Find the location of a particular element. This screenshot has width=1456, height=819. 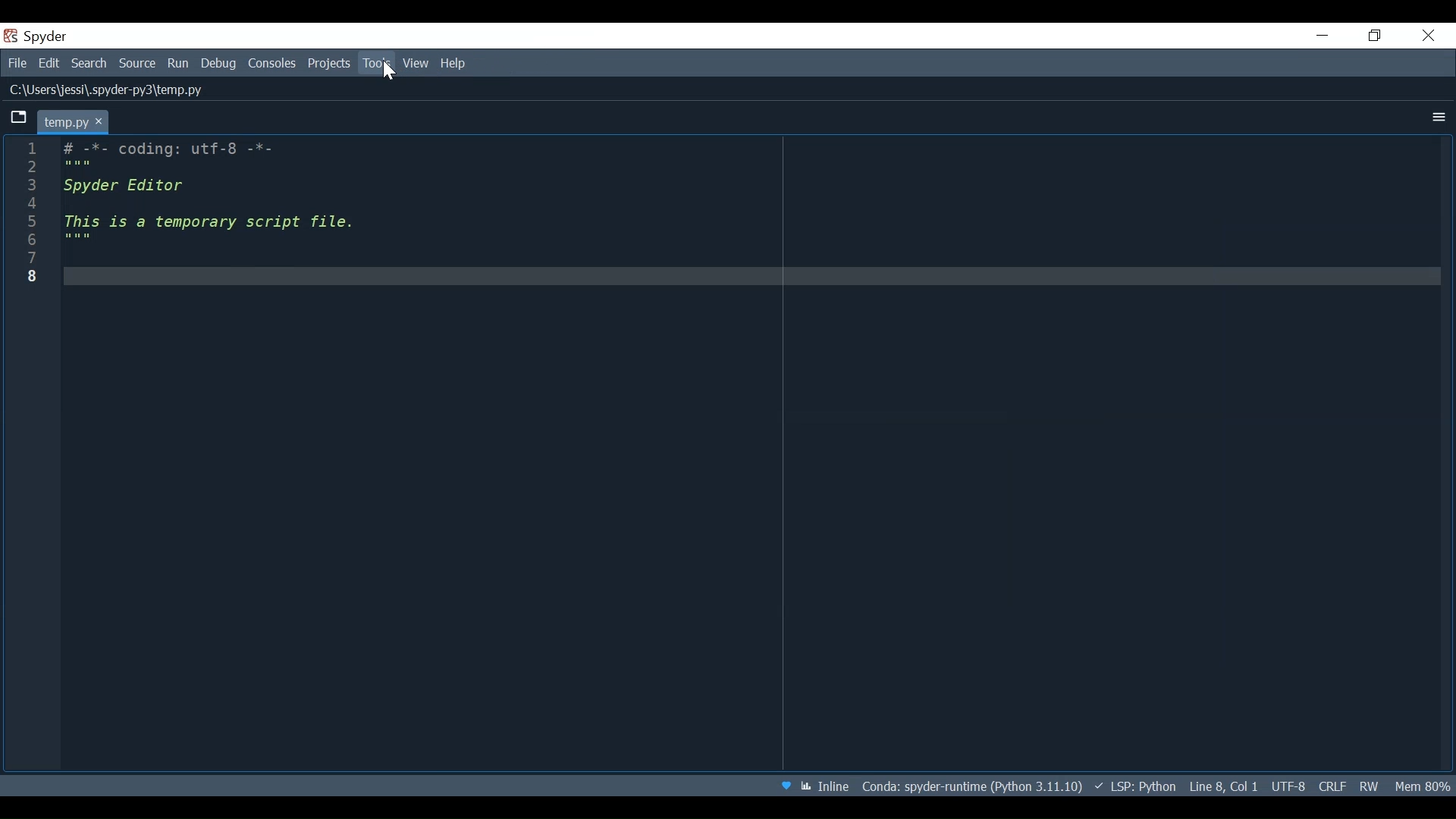

Consoles is located at coordinates (271, 64).